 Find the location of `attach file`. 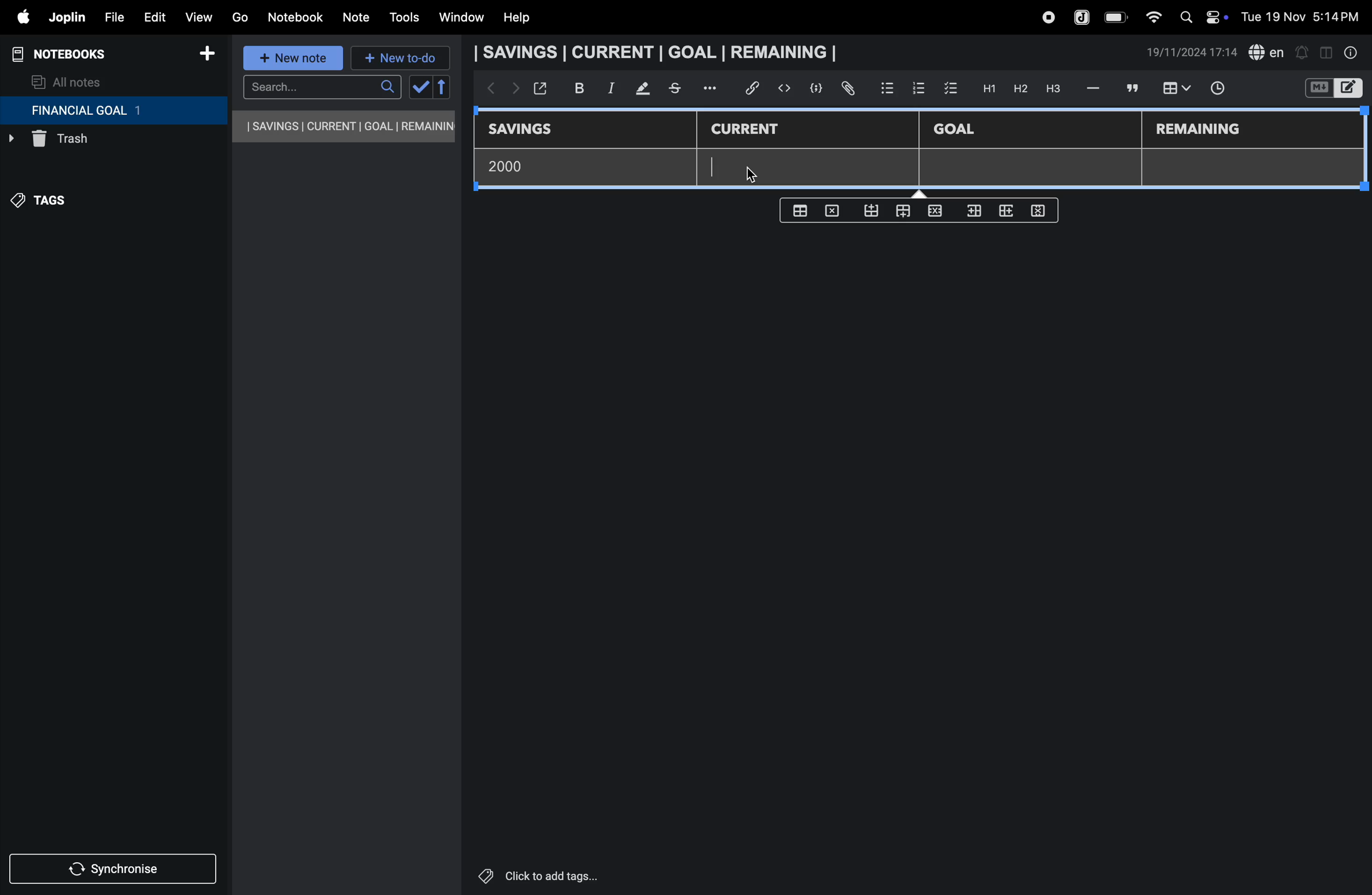

attach file is located at coordinates (847, 89).